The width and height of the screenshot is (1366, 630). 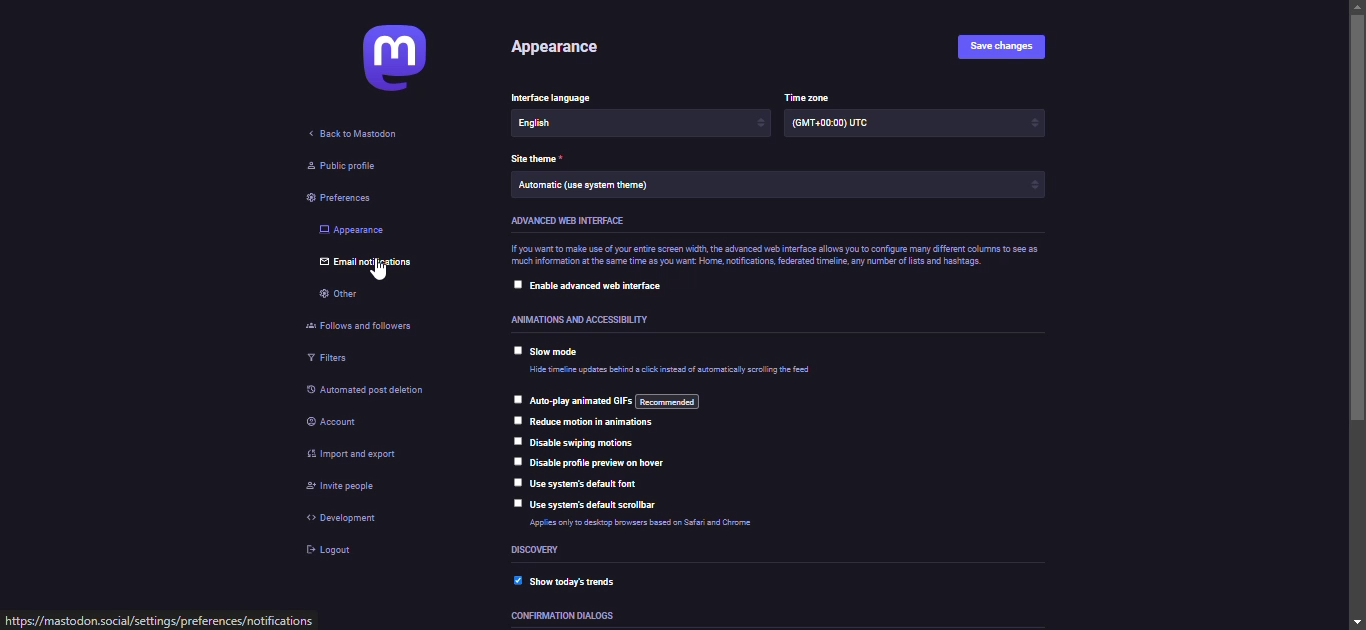 What do you see at coordinates (559, 350) in the screenshot?
I see `slow mode` at bounding box center [559, 350].